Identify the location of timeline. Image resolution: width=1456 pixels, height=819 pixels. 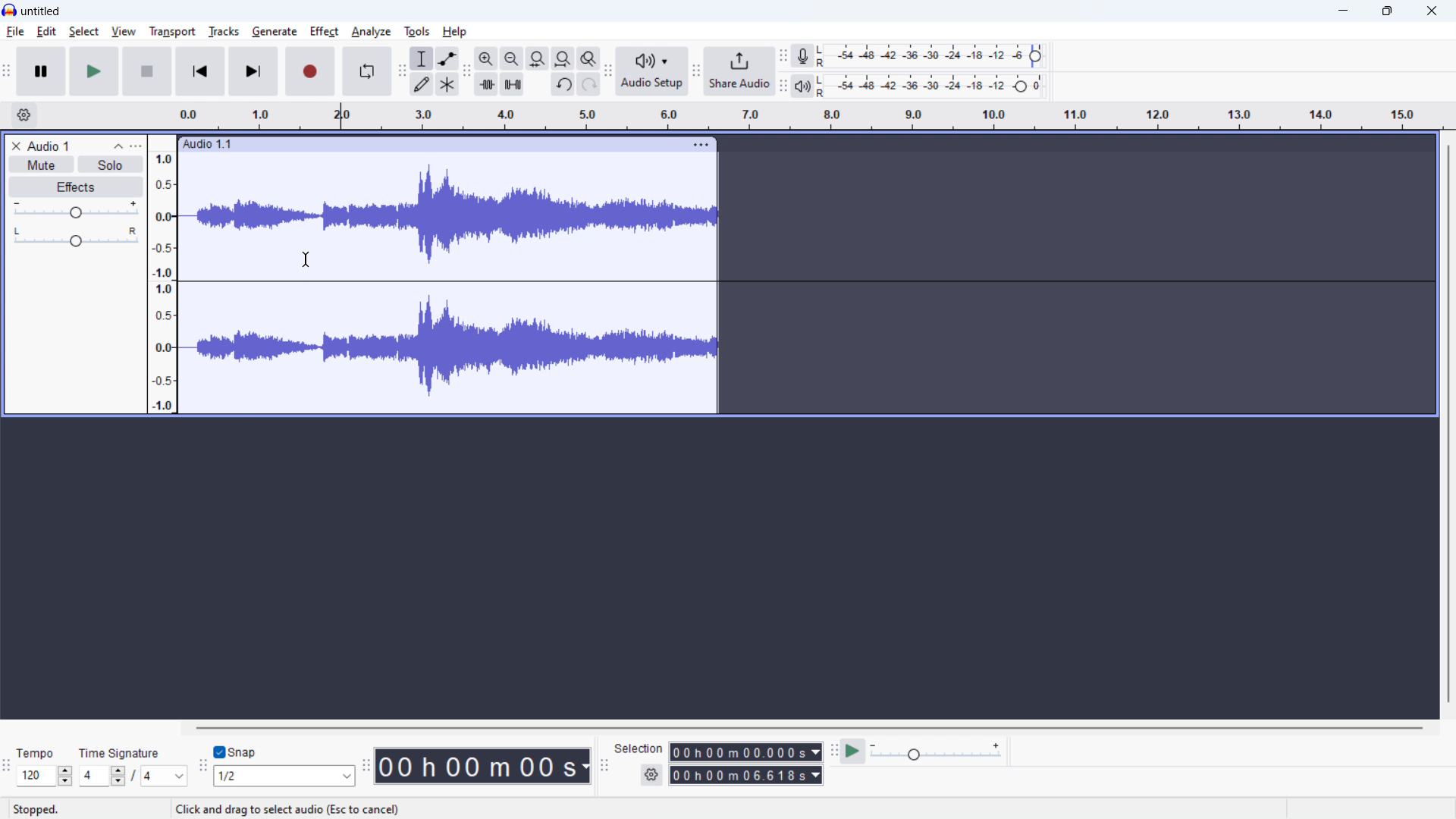
(810, 116).